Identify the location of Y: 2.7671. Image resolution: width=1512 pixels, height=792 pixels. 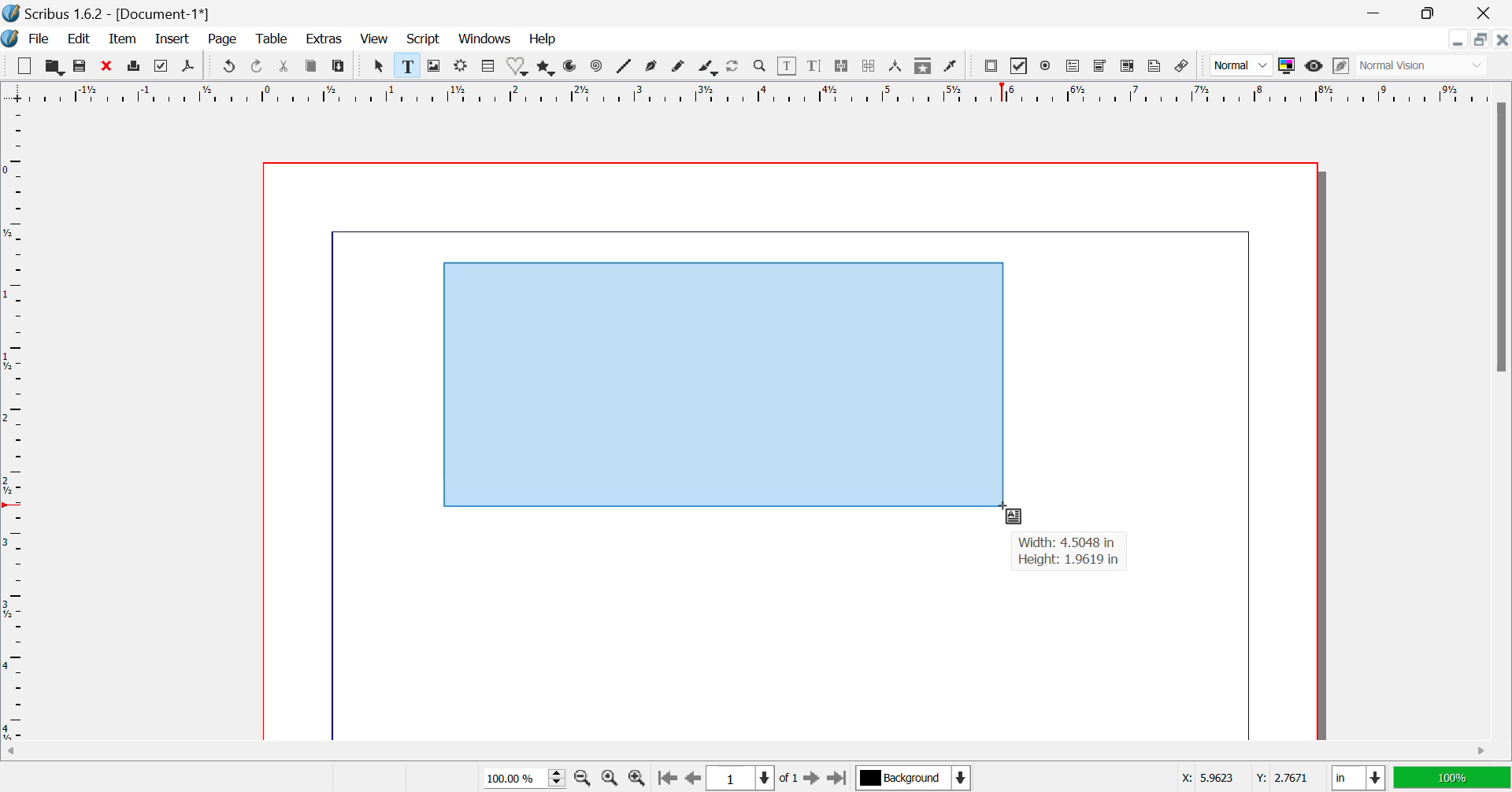
(1282, 777).